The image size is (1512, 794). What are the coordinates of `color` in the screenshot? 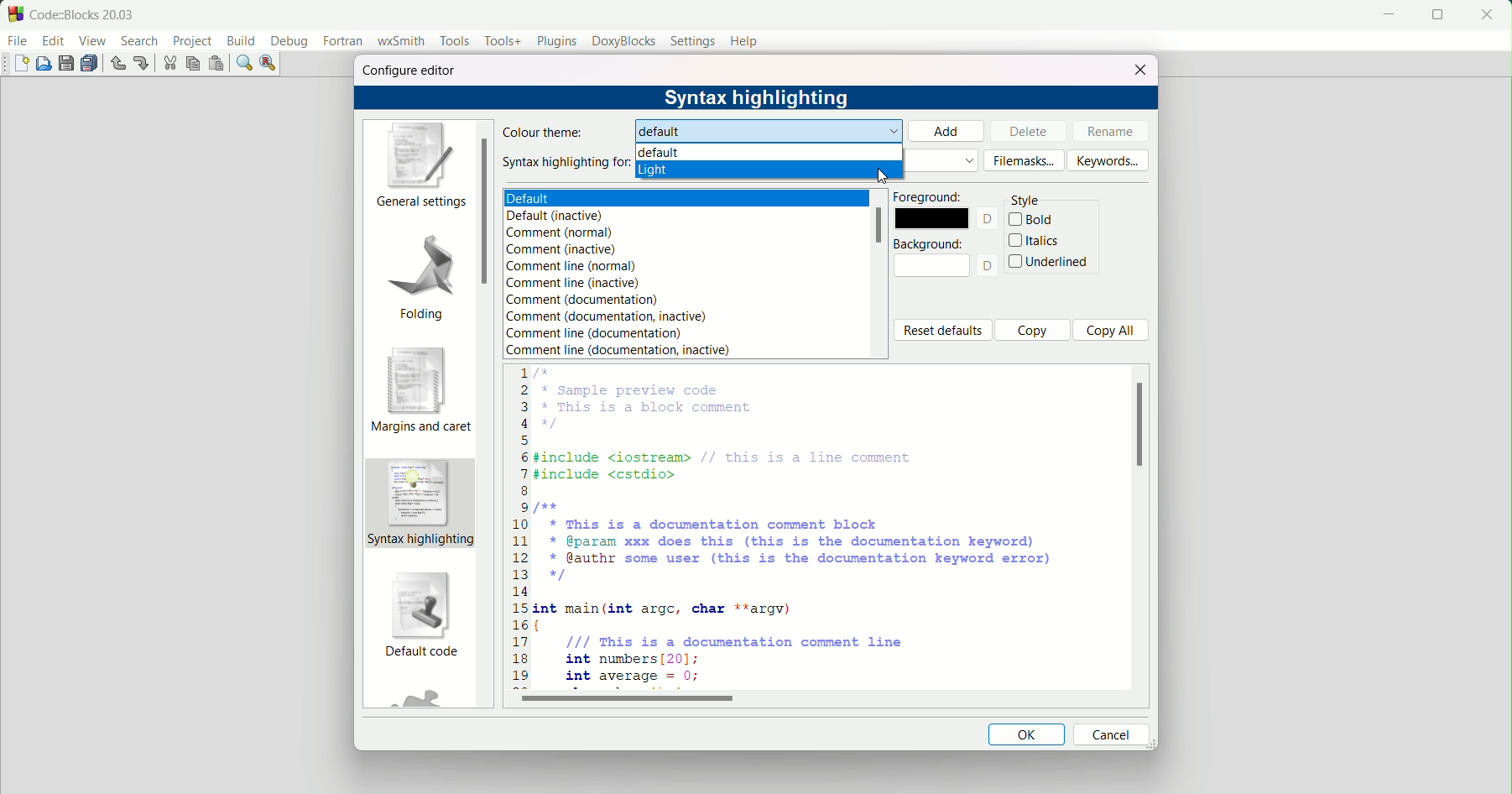 It's located at (932, 218).